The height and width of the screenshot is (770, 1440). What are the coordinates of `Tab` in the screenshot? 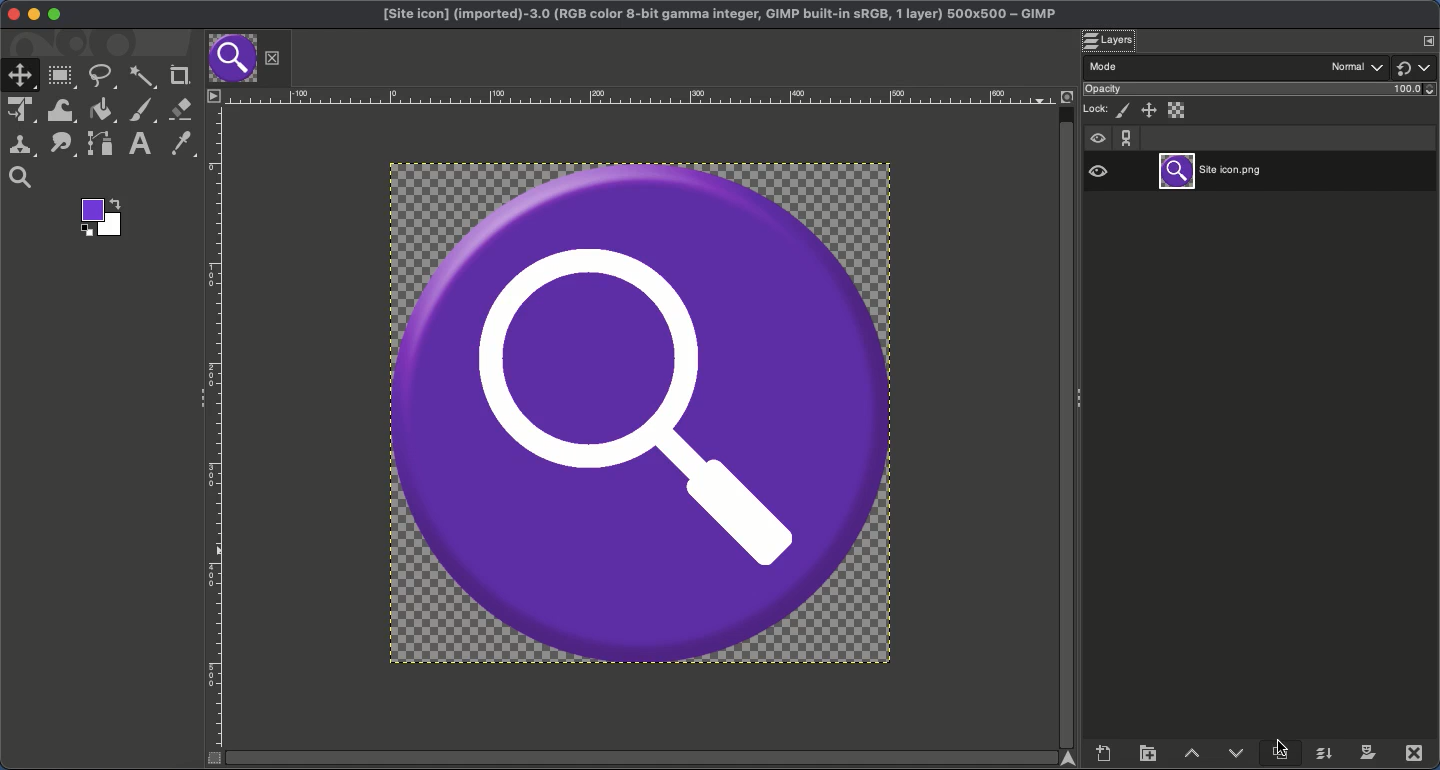 It's located at (233, 57).